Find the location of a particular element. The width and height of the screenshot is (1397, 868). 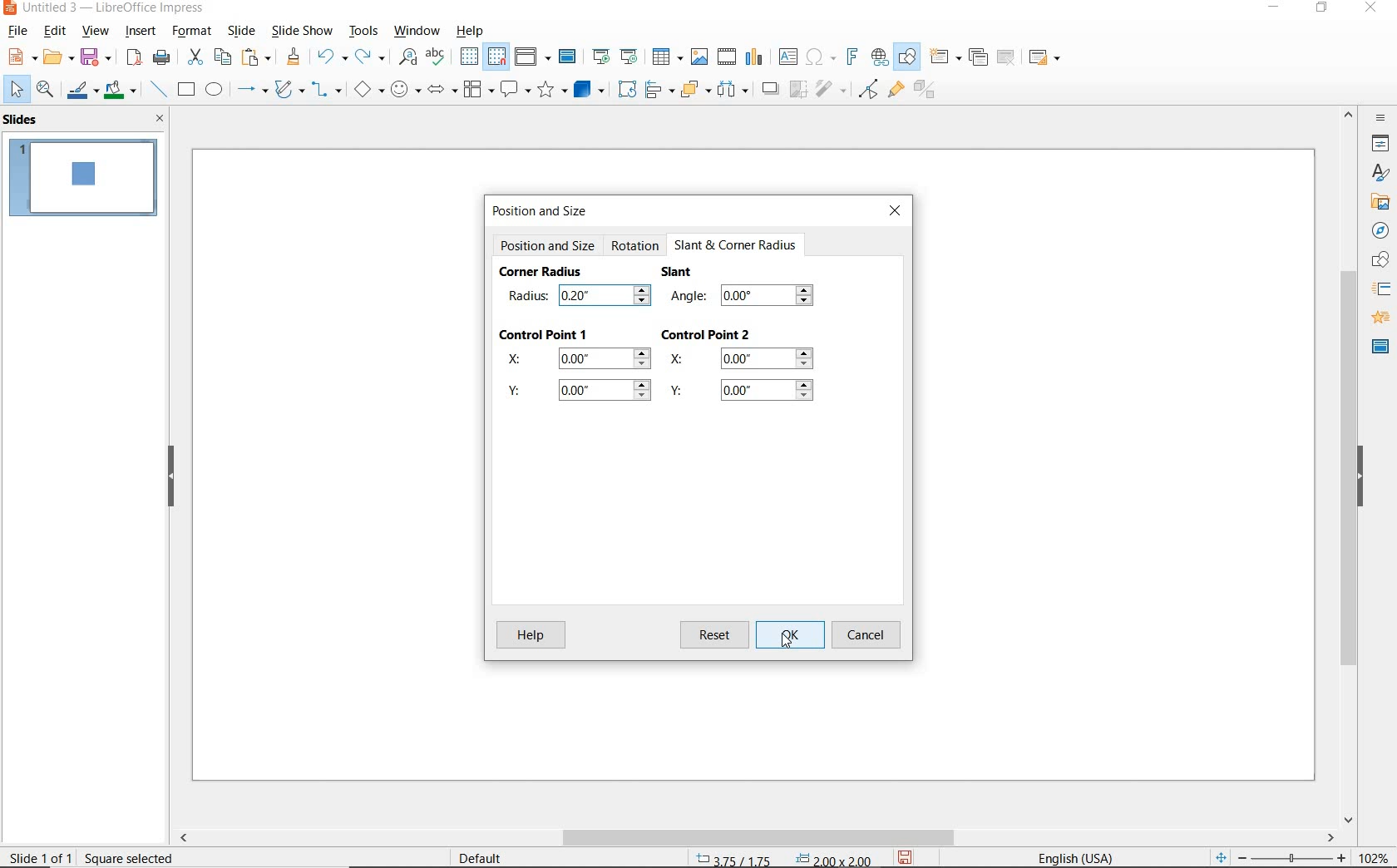

POSITION AND SIZE is located at coordinates (545, 211).